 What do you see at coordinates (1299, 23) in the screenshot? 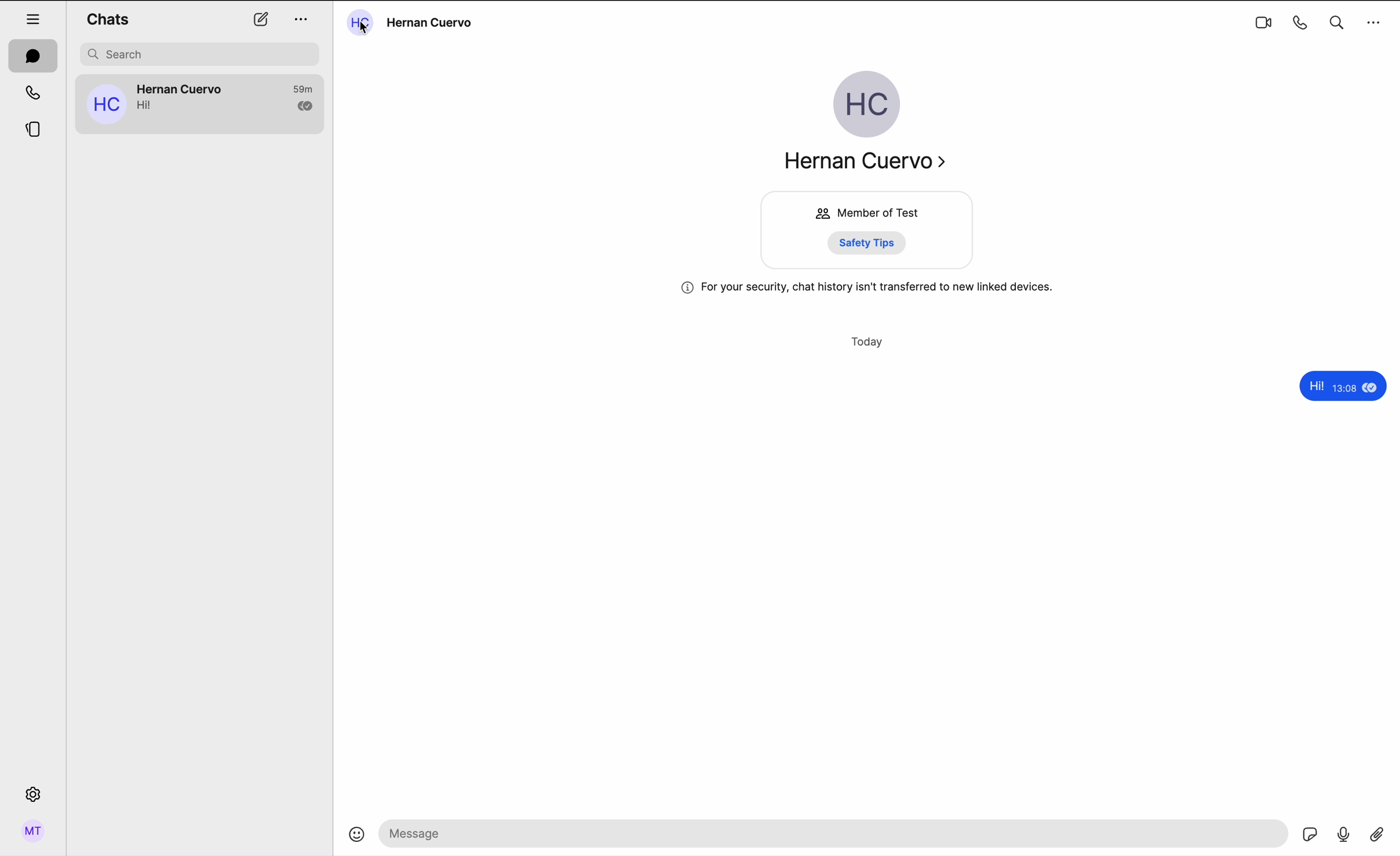
I see `call` at bounding box center [1299, 23].